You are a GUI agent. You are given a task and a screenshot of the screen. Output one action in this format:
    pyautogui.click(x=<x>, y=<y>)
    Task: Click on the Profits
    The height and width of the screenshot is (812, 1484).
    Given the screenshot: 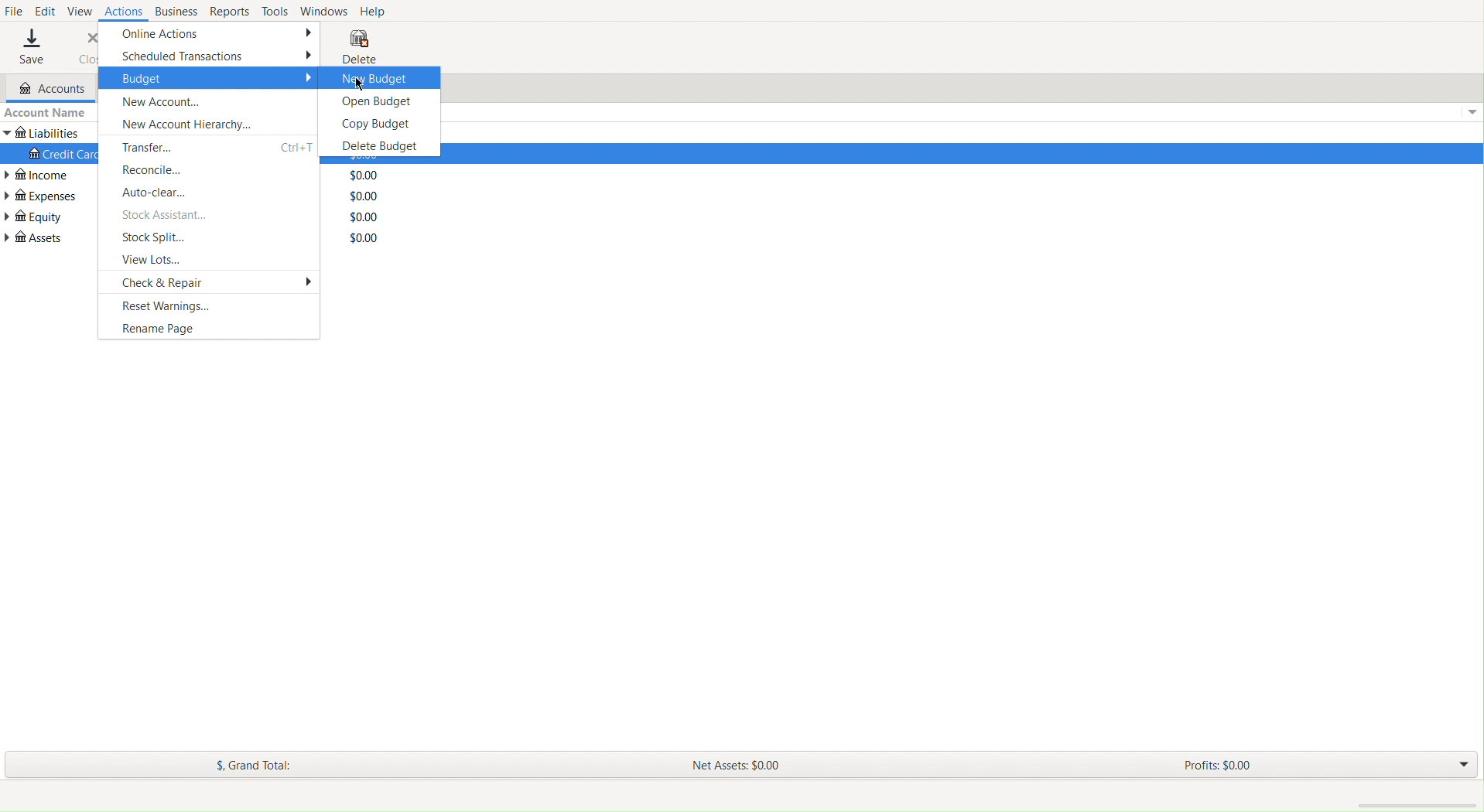 What is the action you would take?
    pyautogui.click(x=1217, y=764)
    